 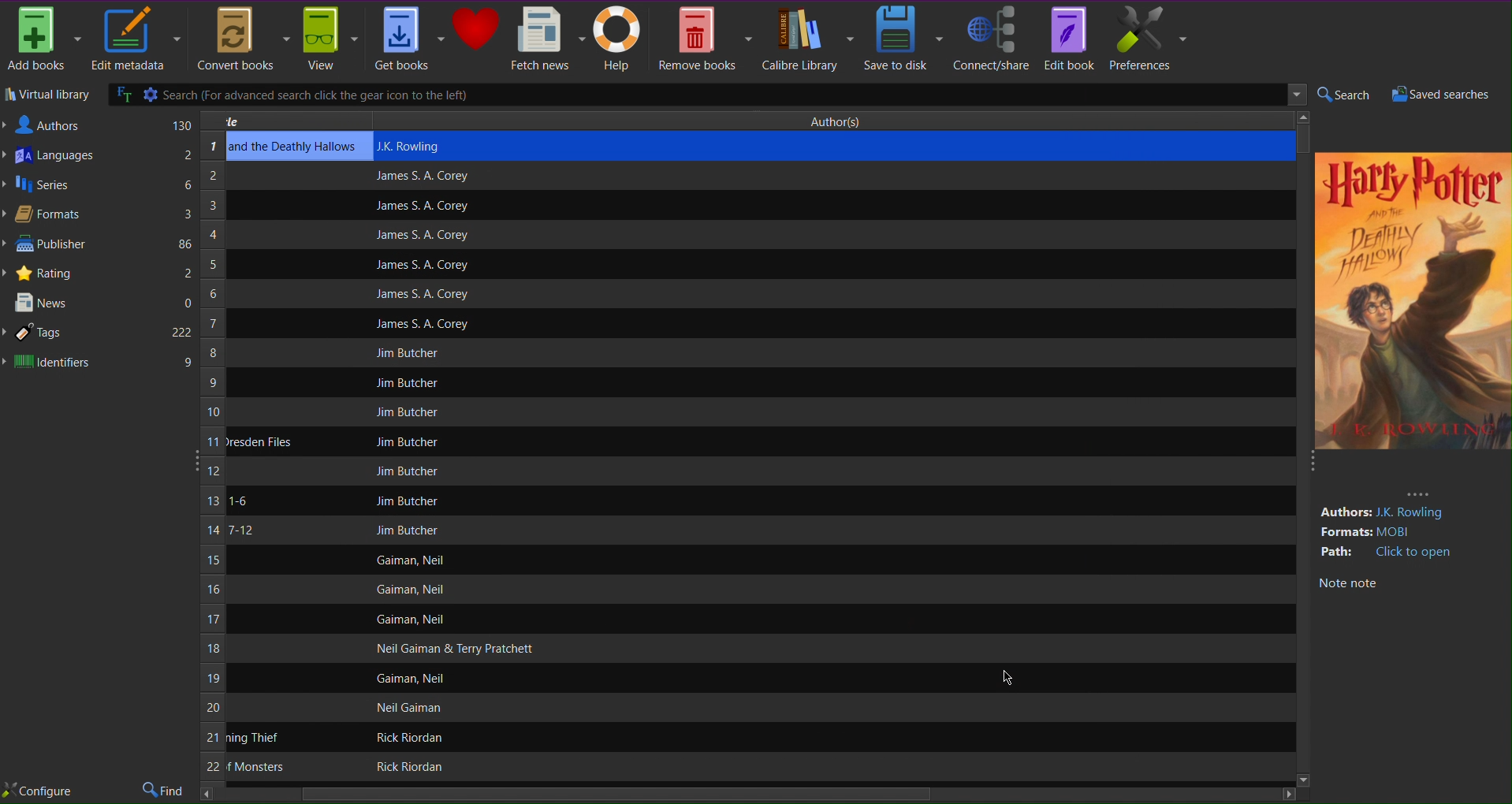 What do you see at coordinates (1447, 95) in the screenshot?
I see `Saved Searches` at bounding box center [1447, 95].